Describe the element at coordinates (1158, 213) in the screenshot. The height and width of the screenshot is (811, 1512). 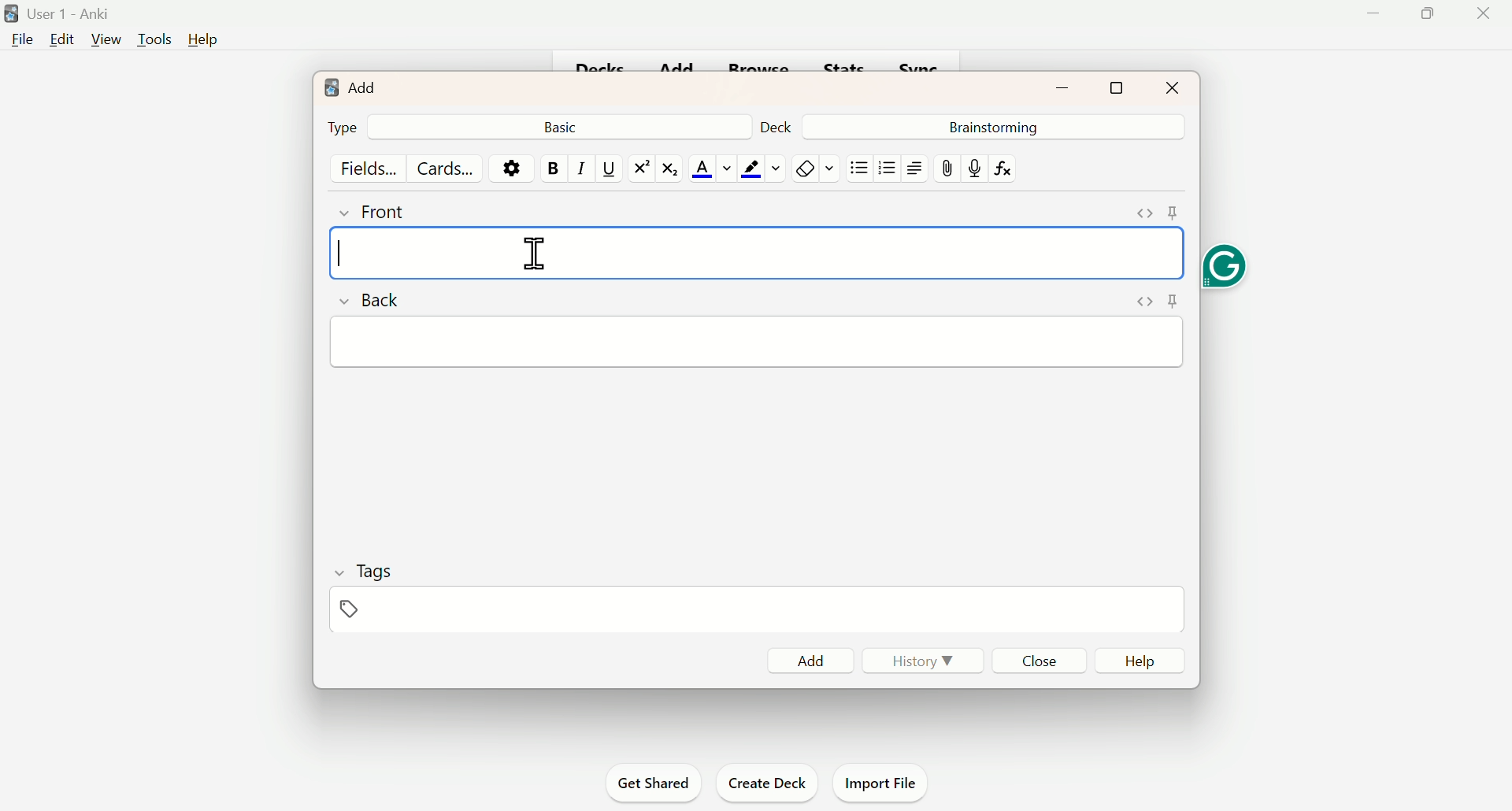
I see `Pins` at that location.